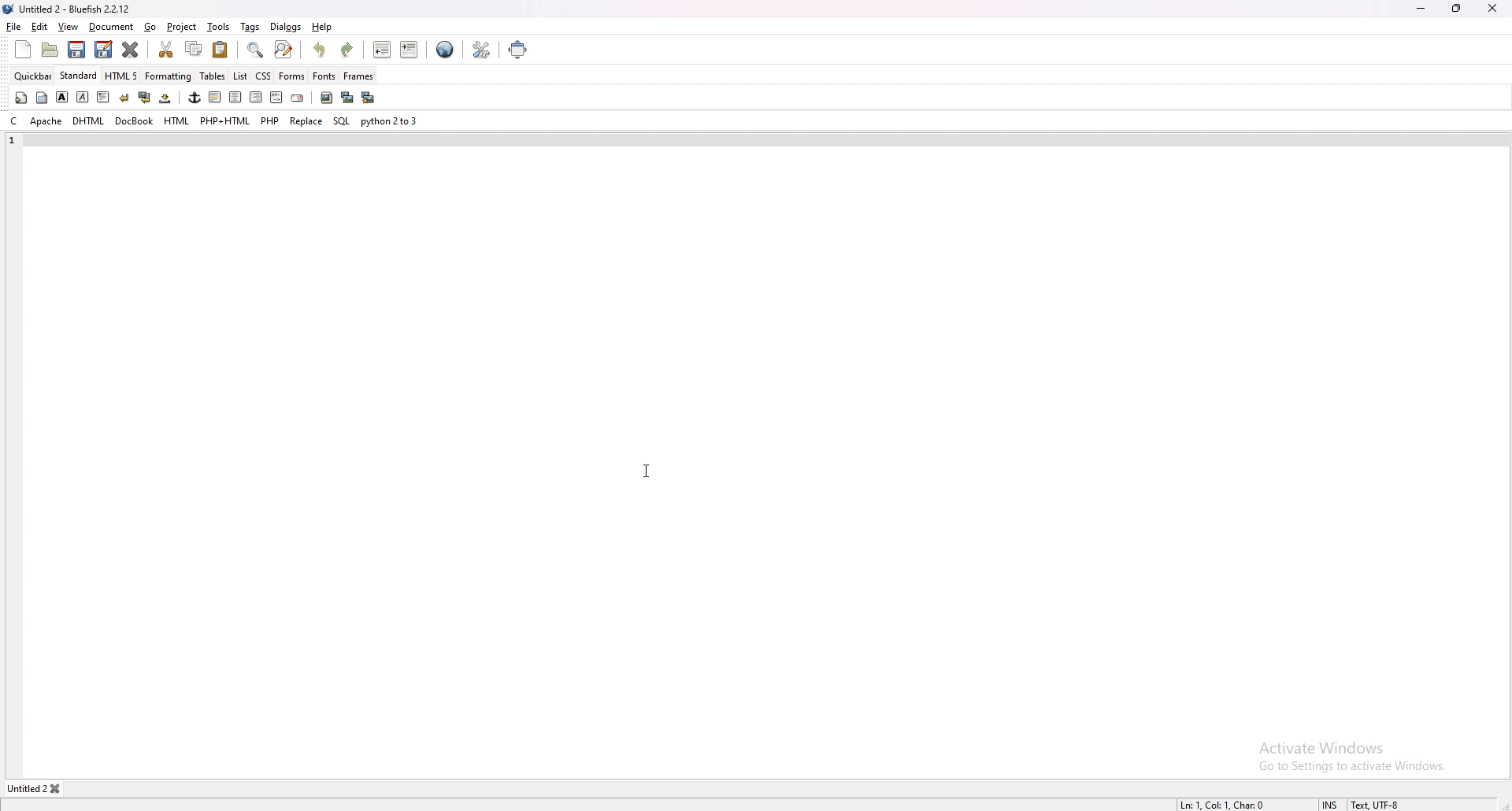 This screenshot has height=811, width=1512. What do you see at coordinates (516, 50) in the screenshot?
I see `full screen` at bounding box center [516, 50].